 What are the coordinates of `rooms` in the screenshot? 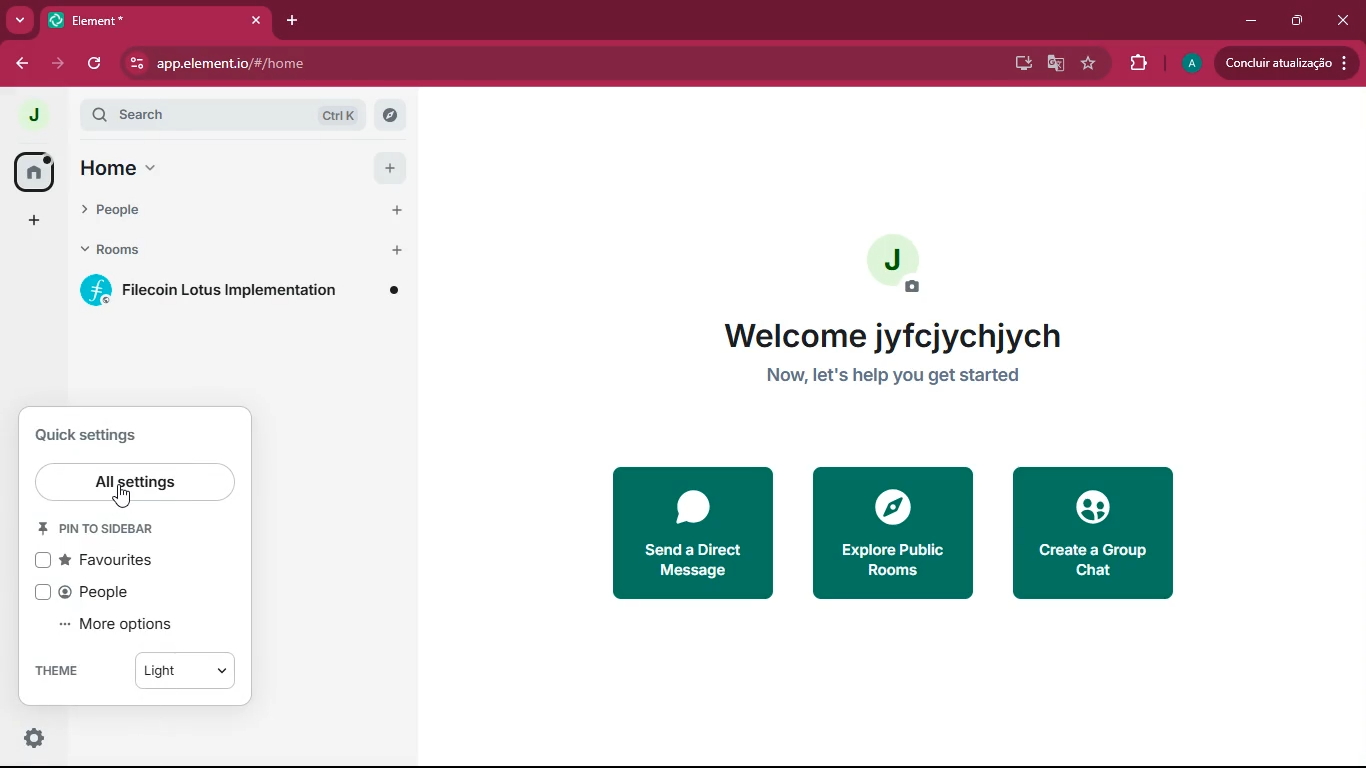 It's located at (117, 251).